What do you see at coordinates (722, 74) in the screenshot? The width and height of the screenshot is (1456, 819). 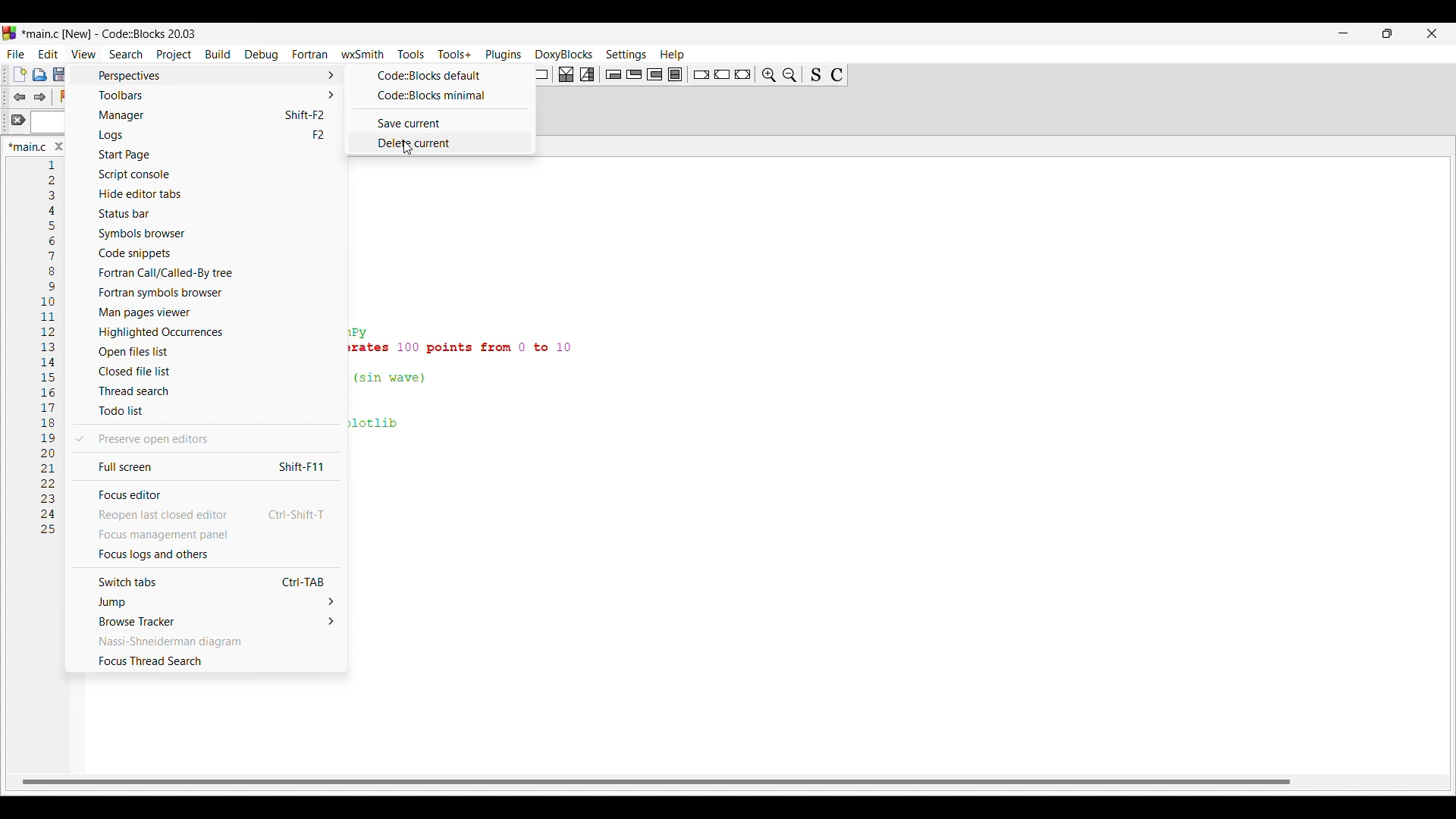 I see `Continue instruction` at bounding box center [722, 74].